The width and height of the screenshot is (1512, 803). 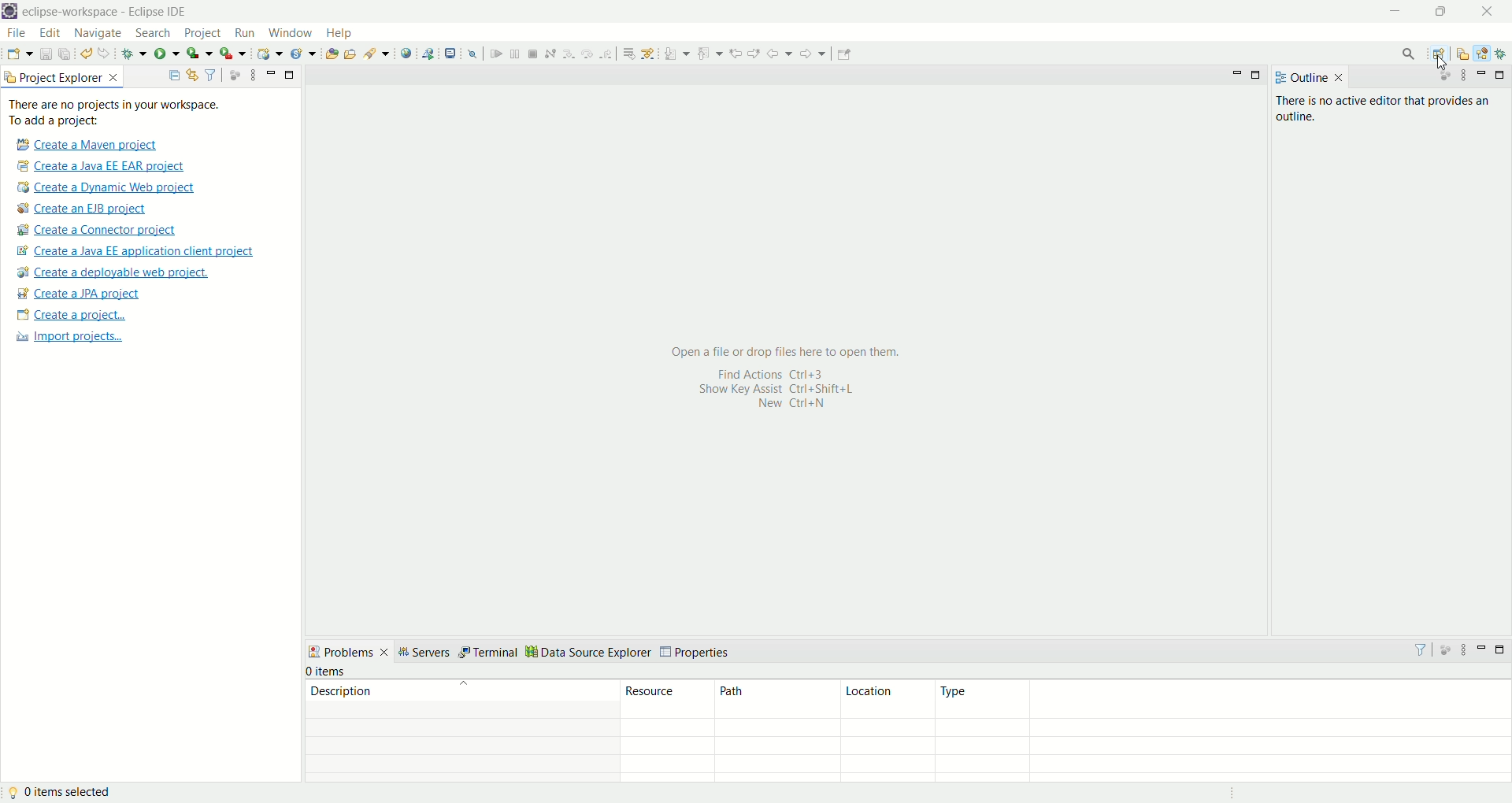 I want to click on view menu, so click(x=252, y=76).